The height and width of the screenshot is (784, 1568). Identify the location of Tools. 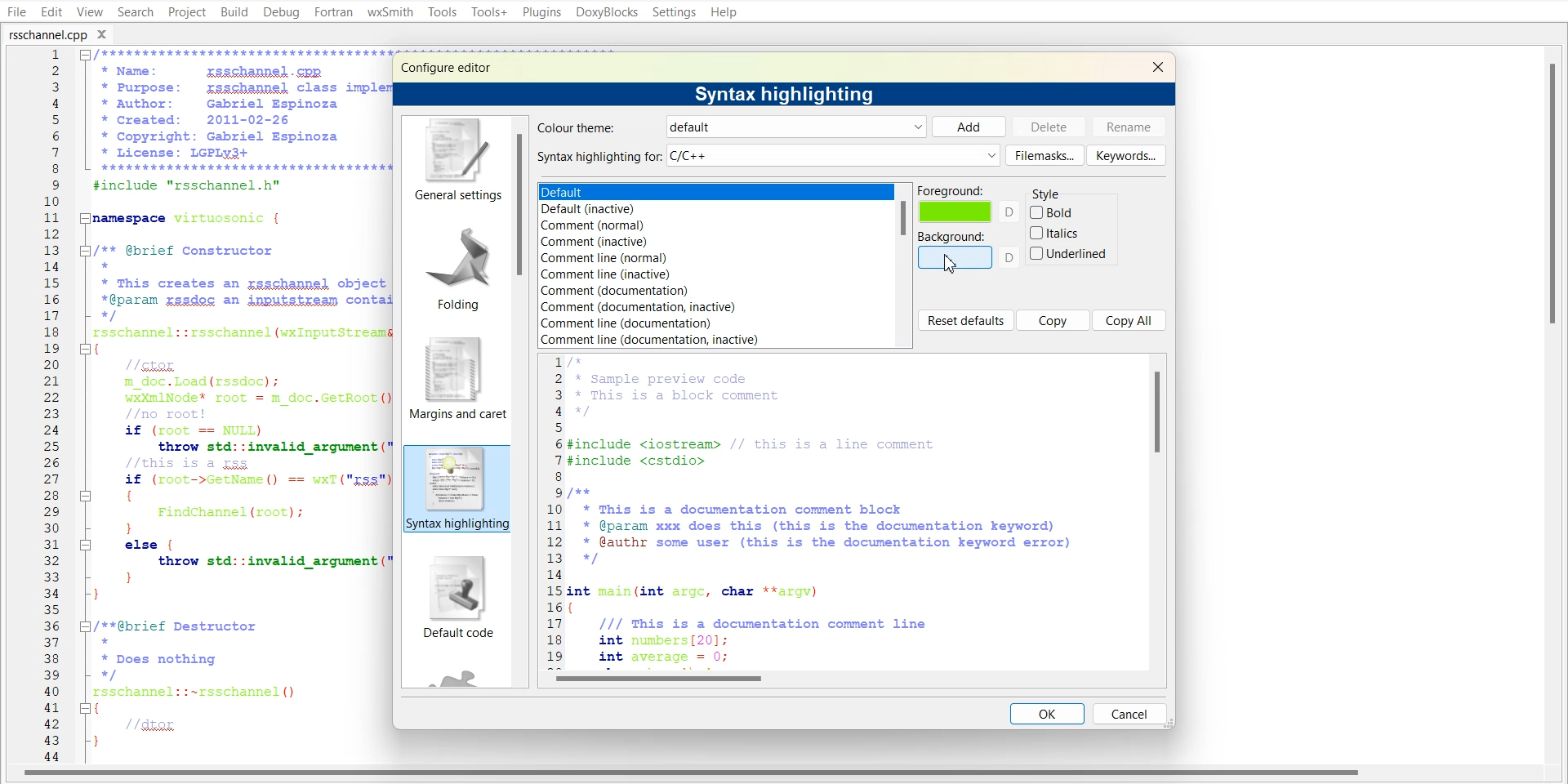
(442, 11).